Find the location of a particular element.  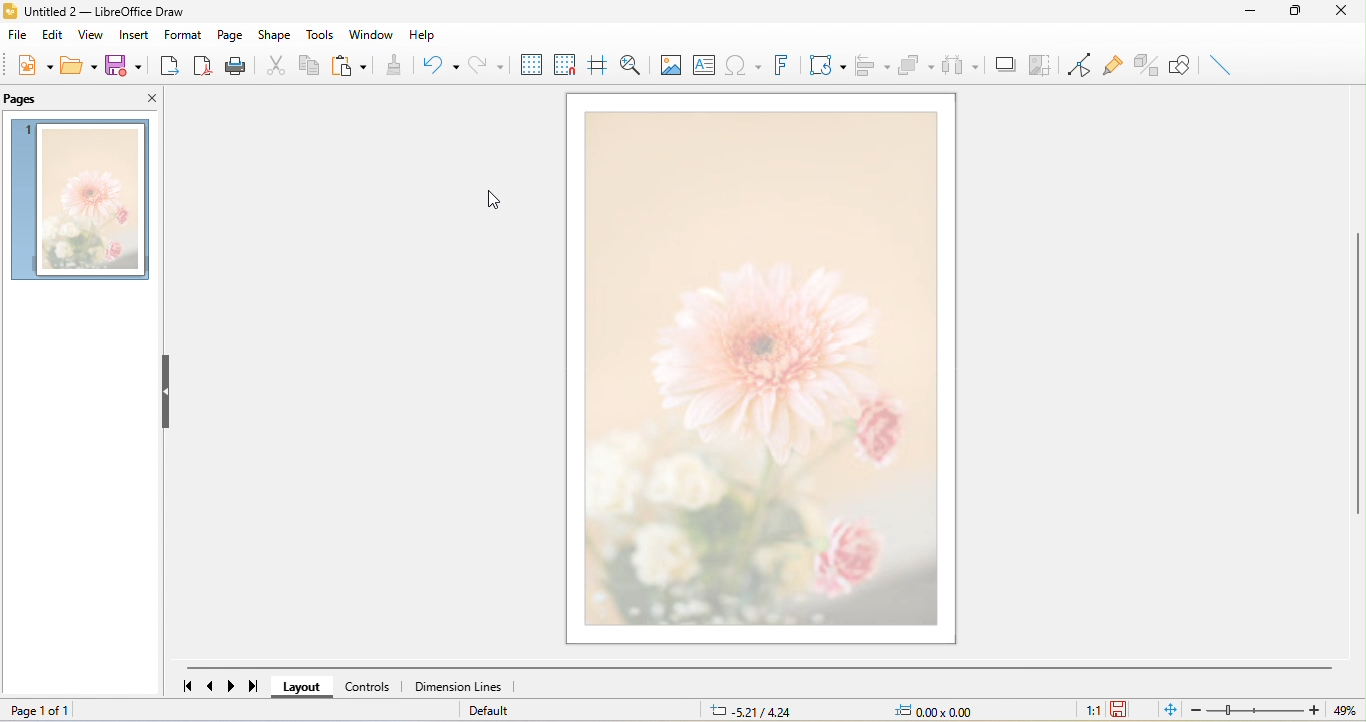

cut is located at coordinates (272, 64).